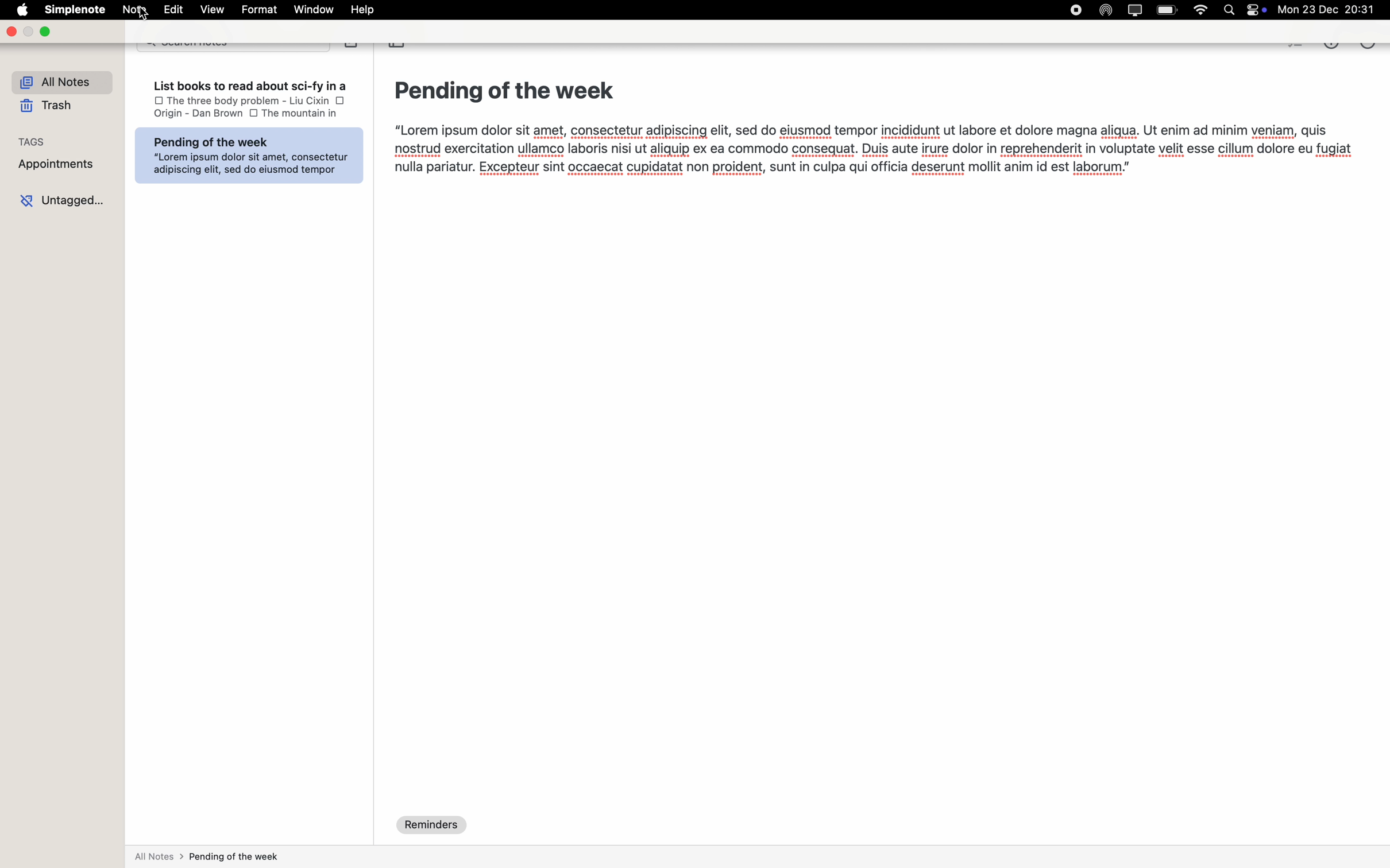 Image resolution: width=1390 pixels, height=868 pixels. I want to click on Simplenote, so click(76, 9).